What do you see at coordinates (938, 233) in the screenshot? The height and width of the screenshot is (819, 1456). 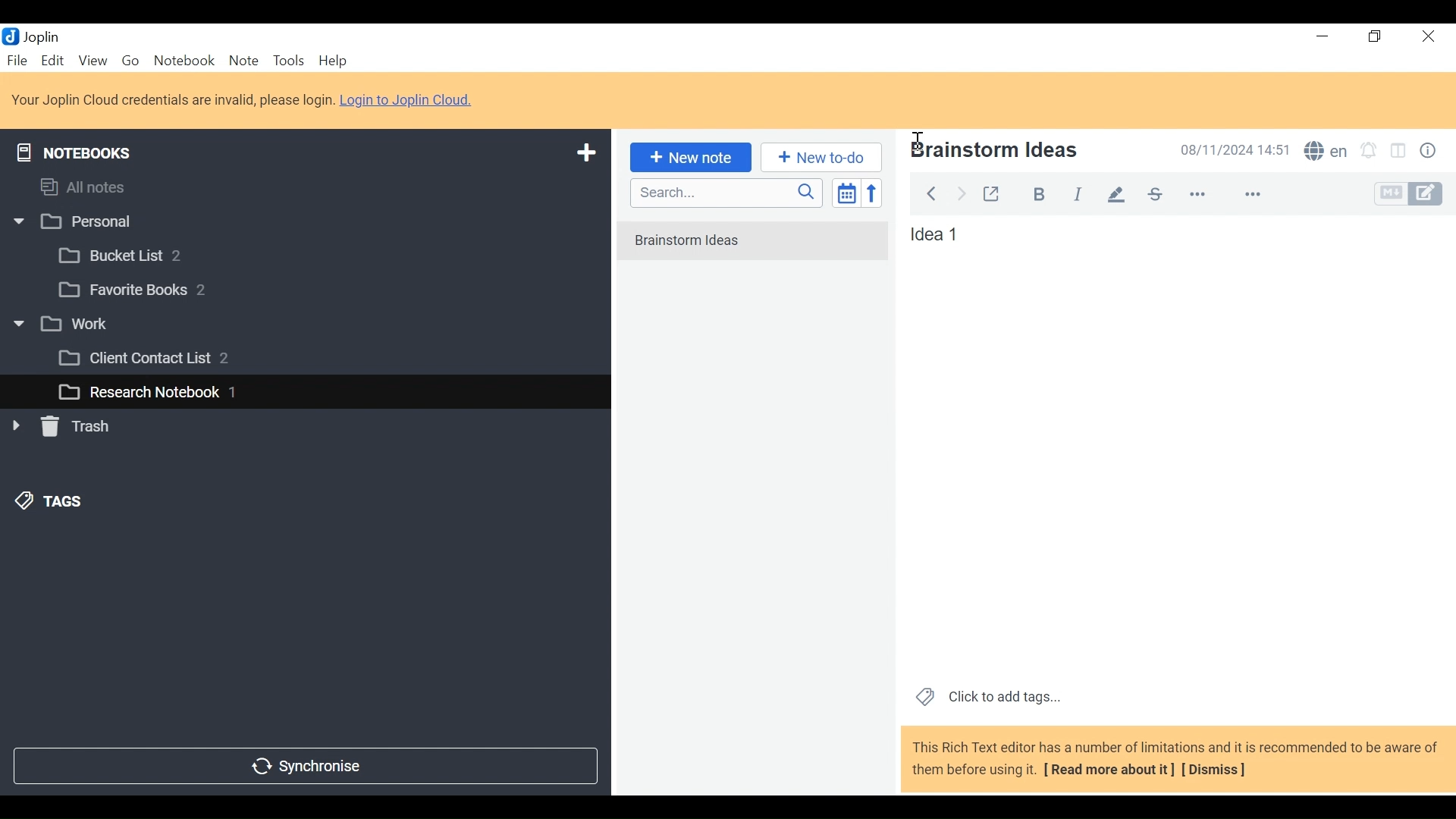 I see `Note View` at bounding box center [938, 233].